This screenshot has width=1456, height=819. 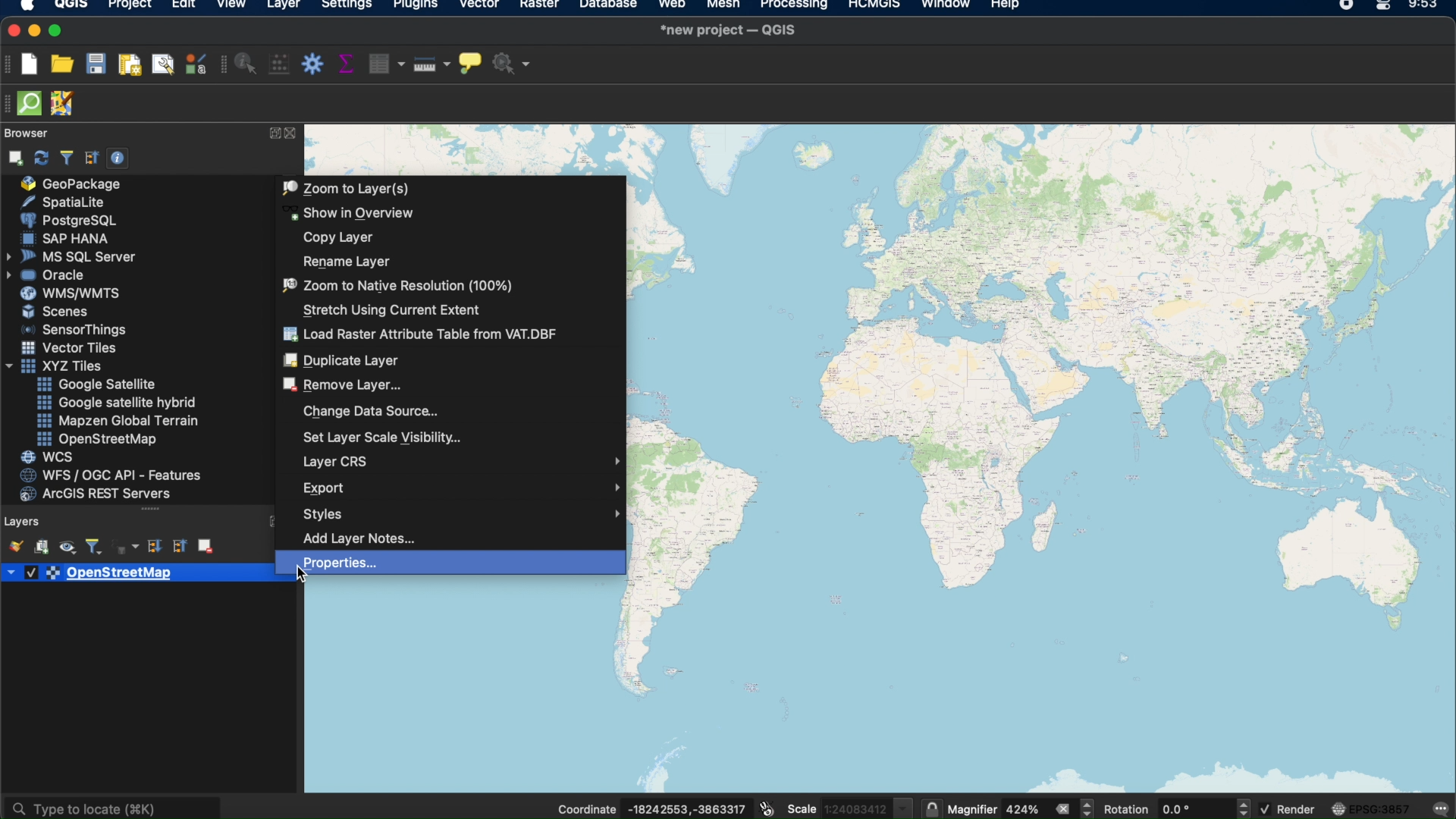 I want to click on save project, so click(x=96, y=64).